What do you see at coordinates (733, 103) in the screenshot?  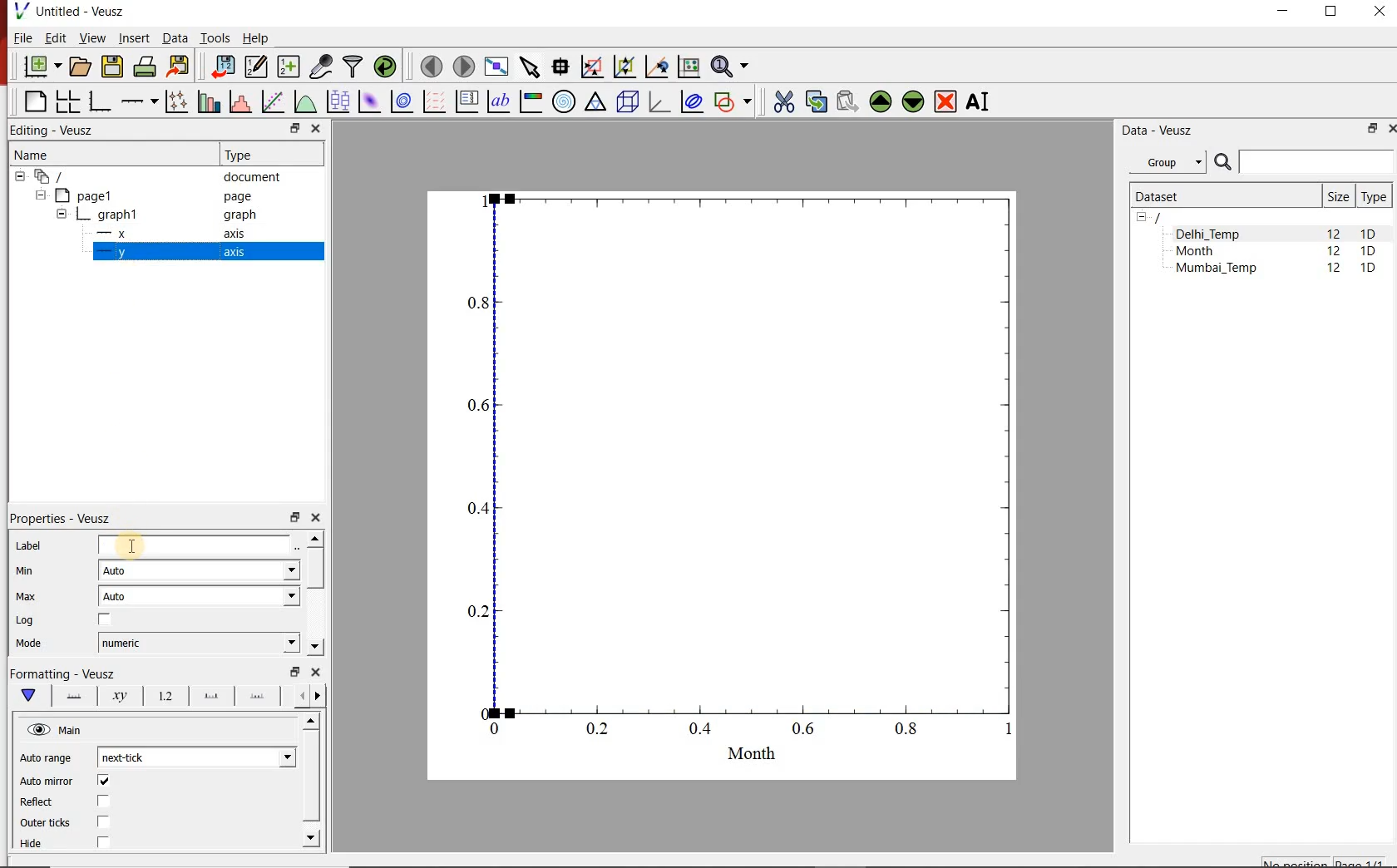 I see `add a shape to the plot` at bounding box center [733, 103].